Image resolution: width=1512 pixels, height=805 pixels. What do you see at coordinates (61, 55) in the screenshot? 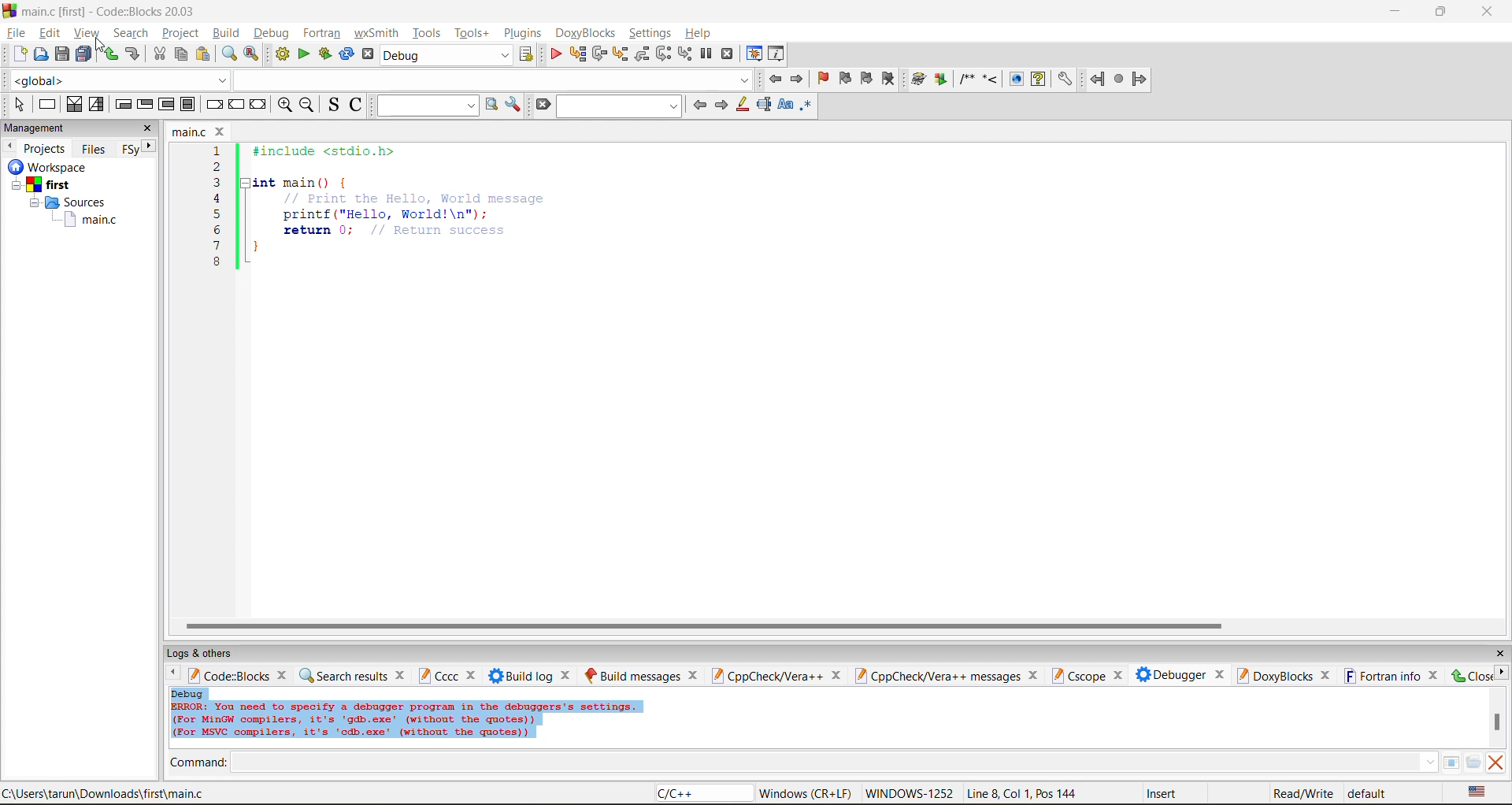
I see `save` at bounding box center [61, 55].